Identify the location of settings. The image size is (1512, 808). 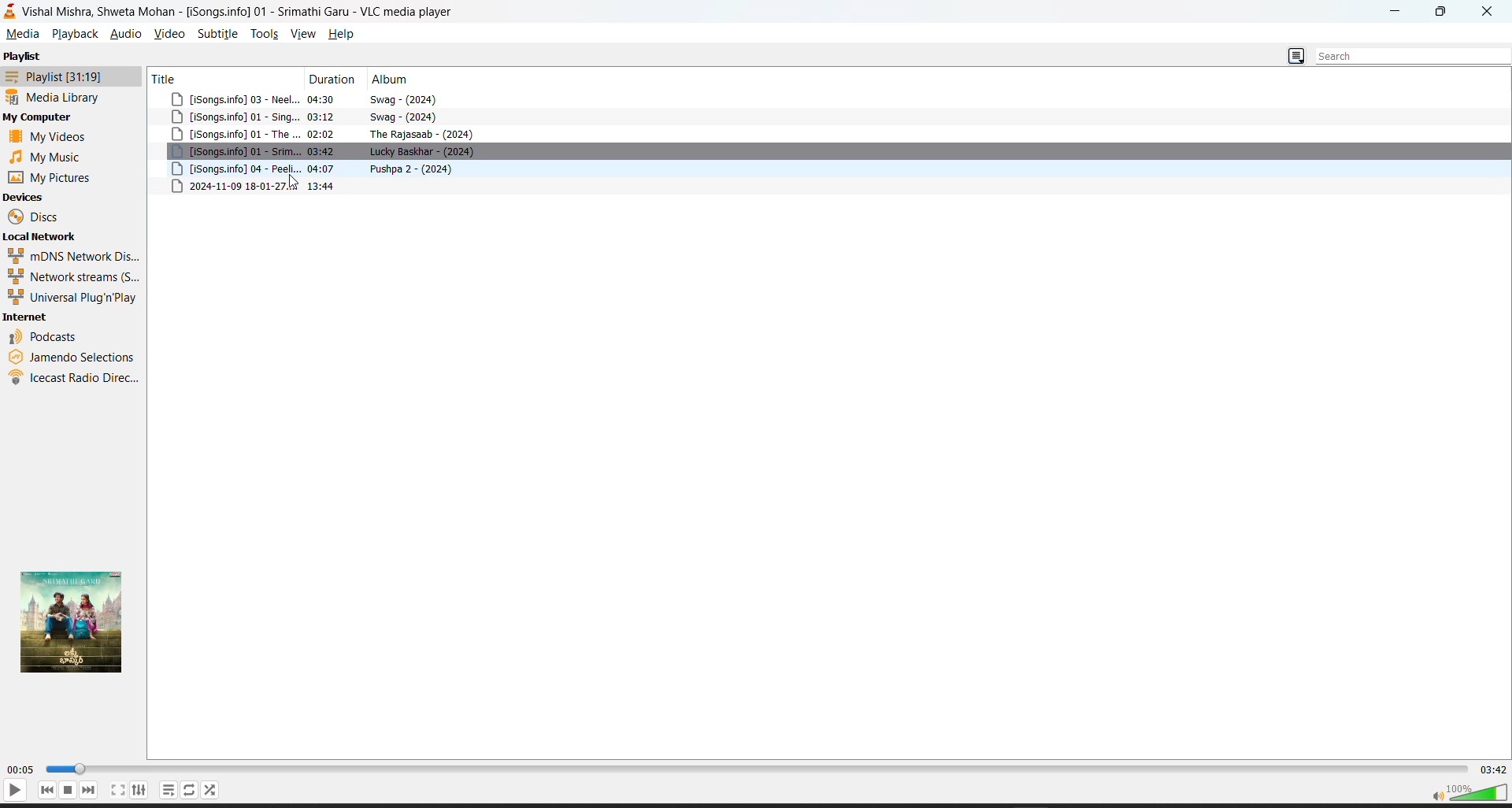
(139, 790).